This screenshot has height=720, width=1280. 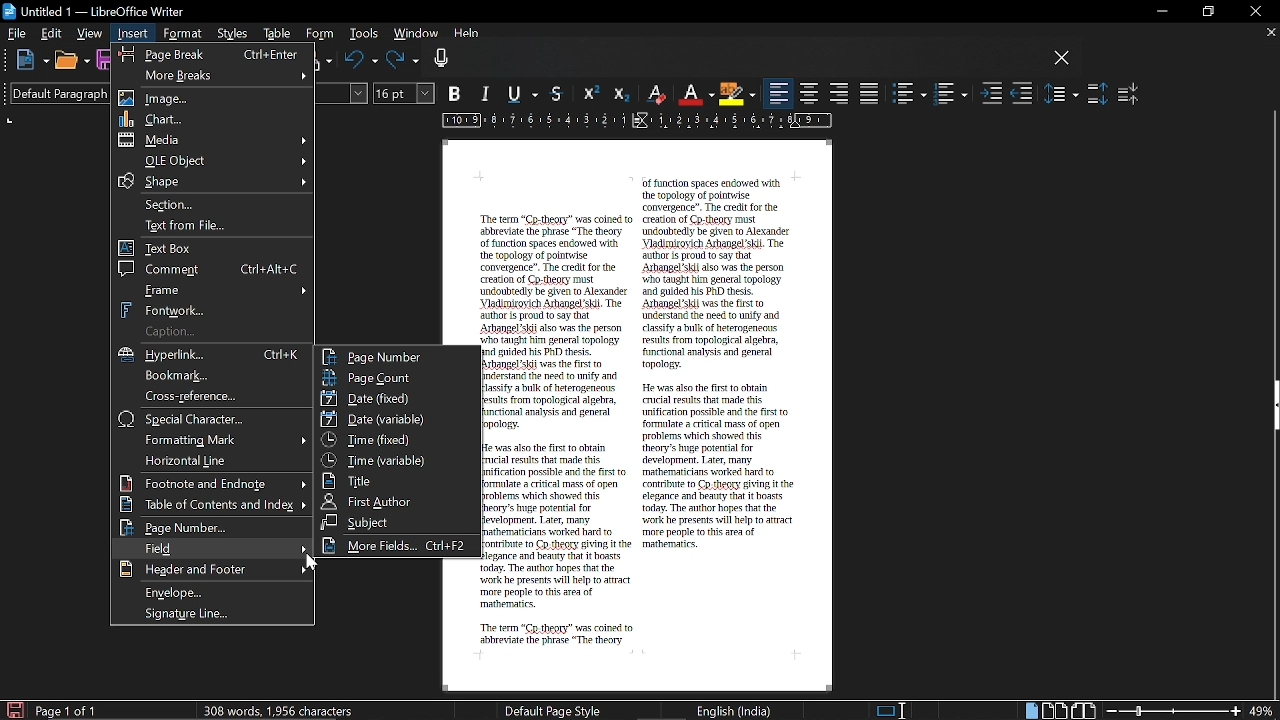 I want to click on strikethrough, so click(x=559, y=93).